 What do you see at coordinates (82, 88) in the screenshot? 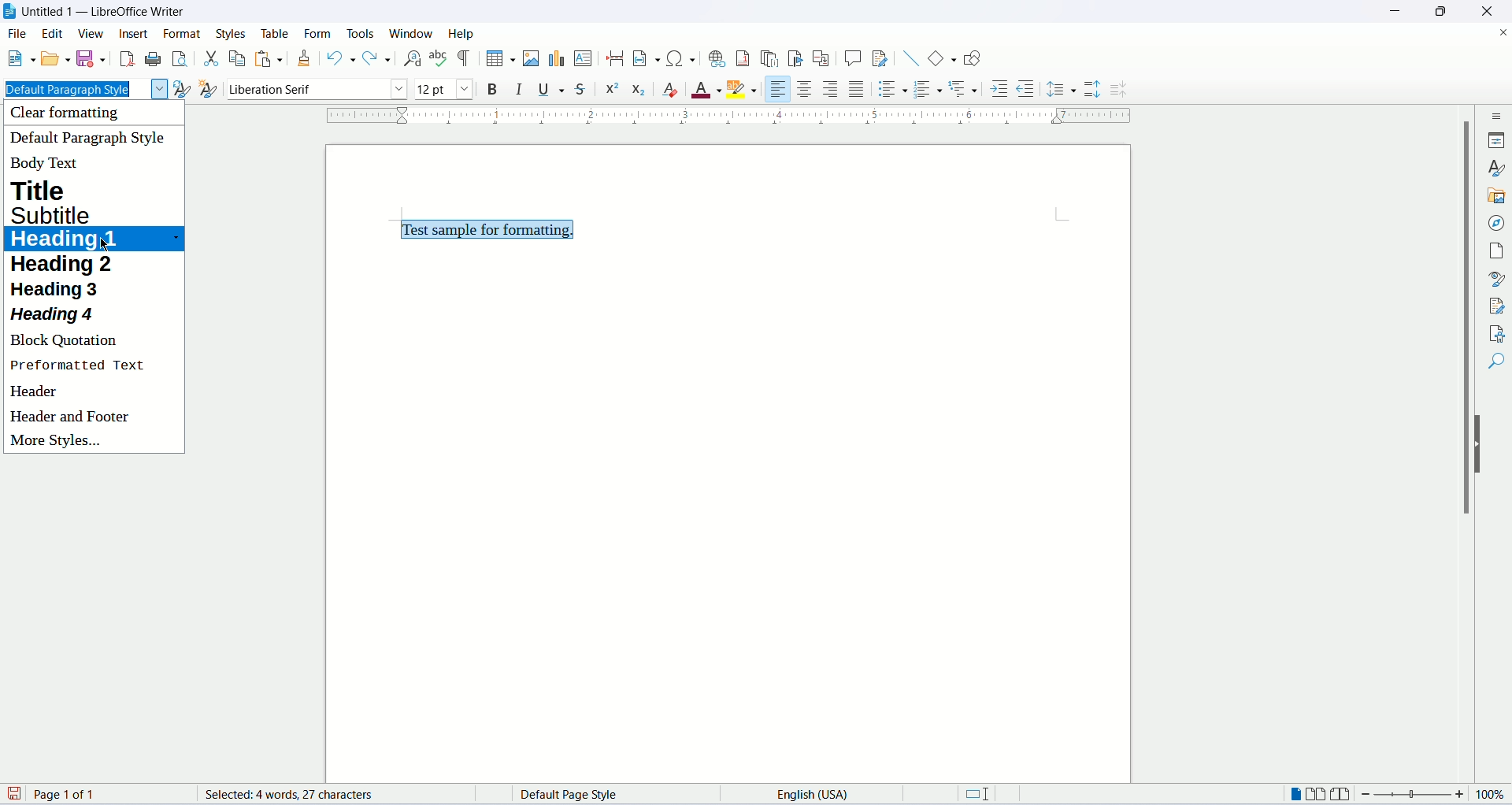
I see `paragraph style` at bounding box center [82, 88].